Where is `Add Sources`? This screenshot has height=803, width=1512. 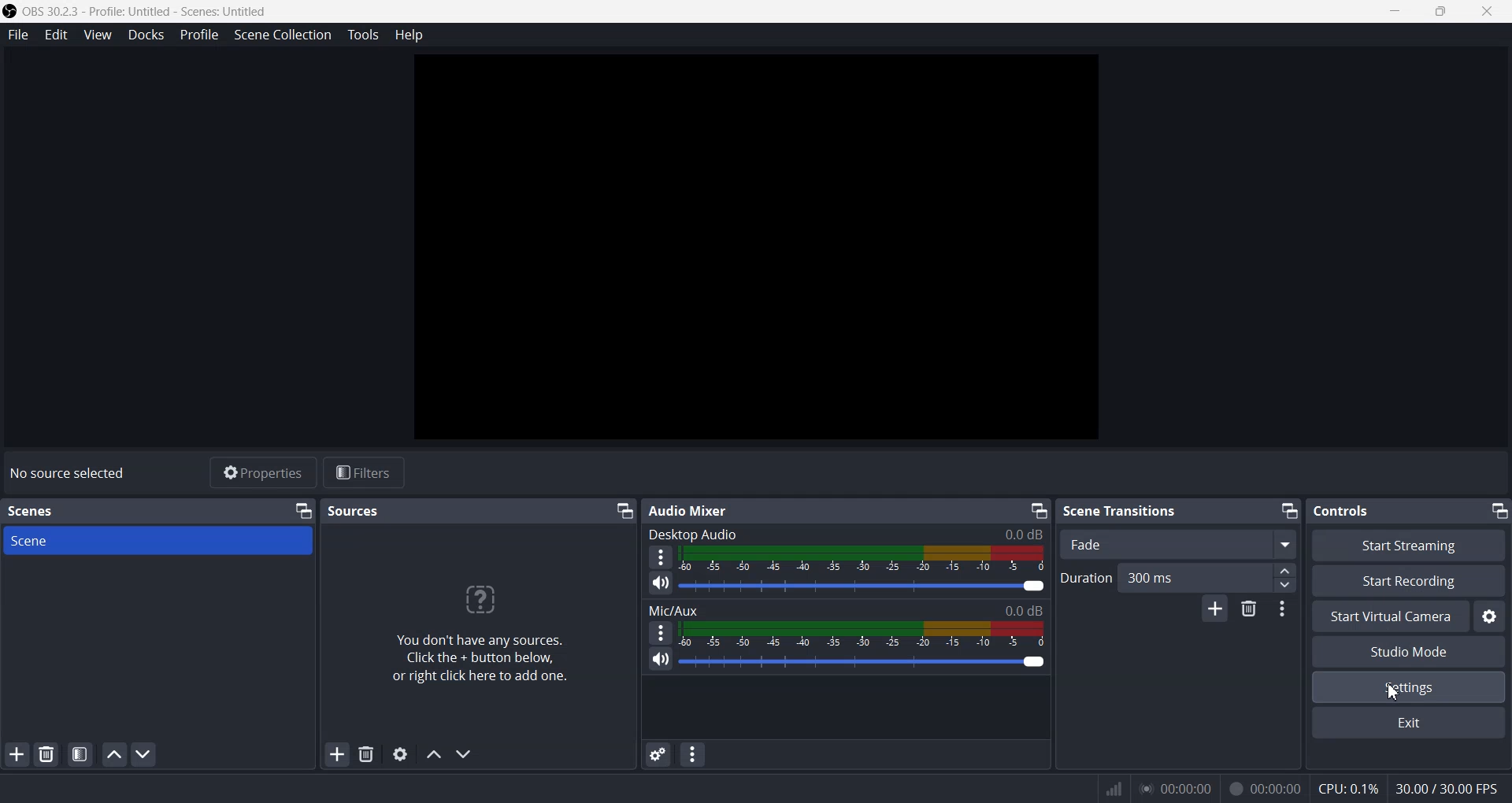 Add Sources is located at coordinates (338, 754).